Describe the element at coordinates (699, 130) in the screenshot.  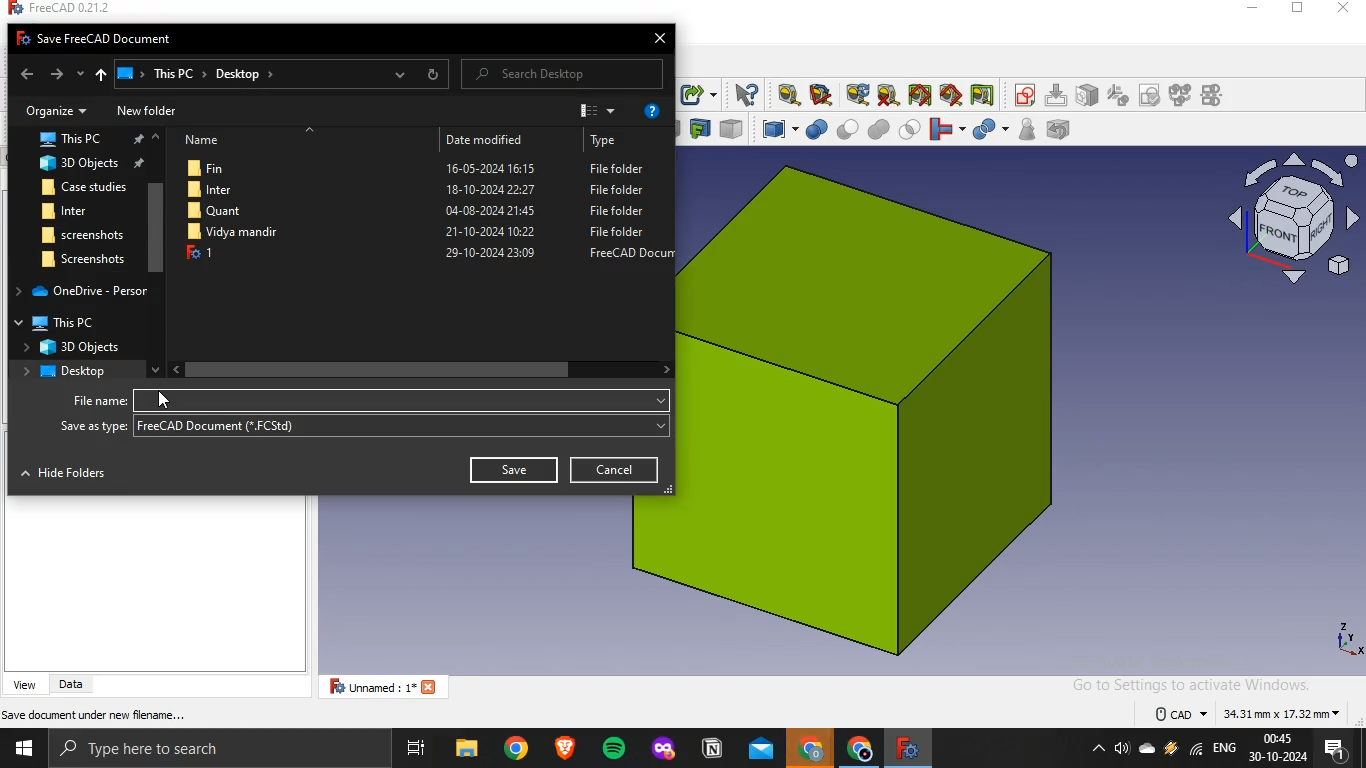
I see `create projection on surface` at that location.